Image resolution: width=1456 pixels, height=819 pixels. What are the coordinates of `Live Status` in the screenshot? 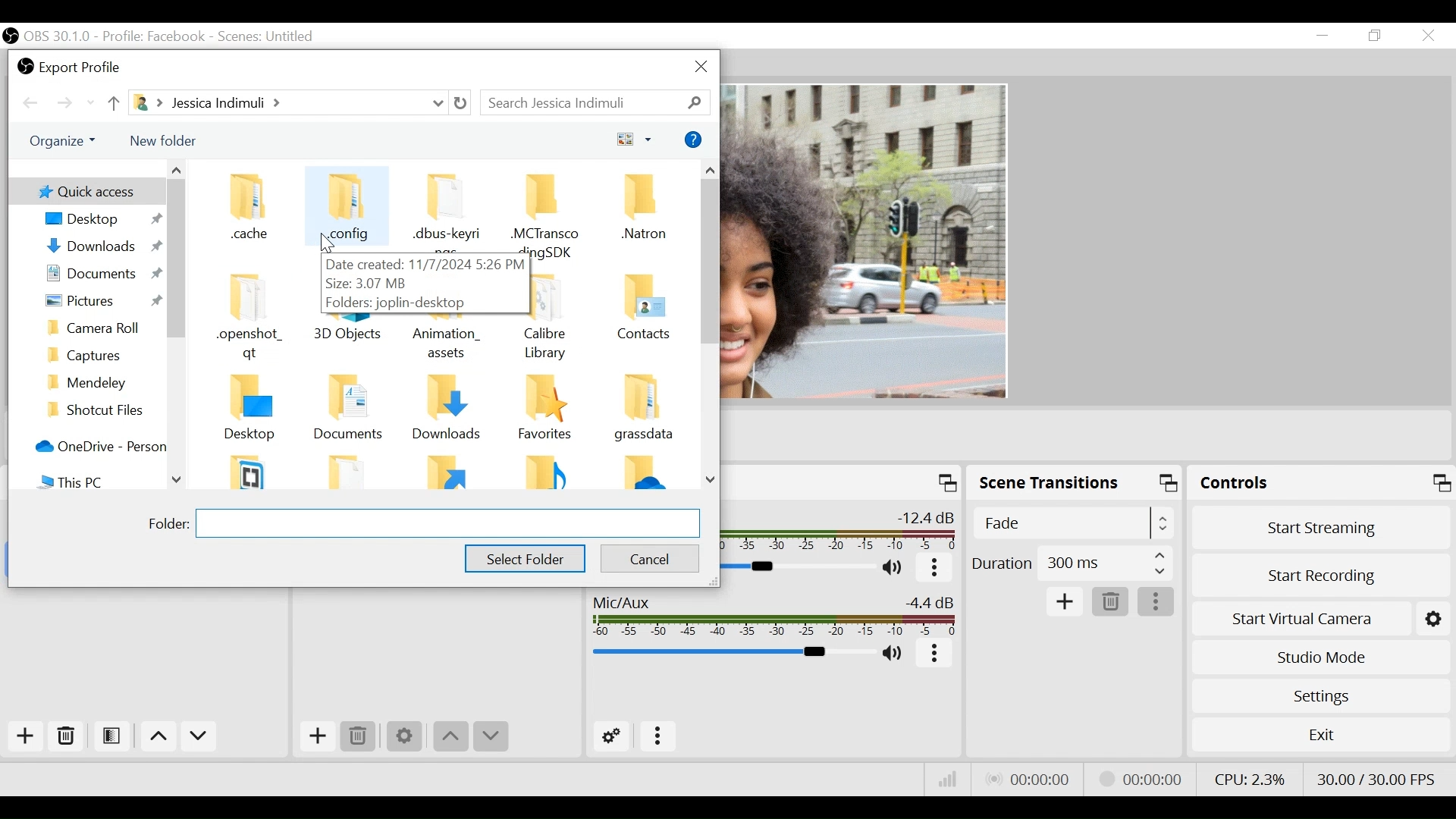 It's located at (1032, 781).